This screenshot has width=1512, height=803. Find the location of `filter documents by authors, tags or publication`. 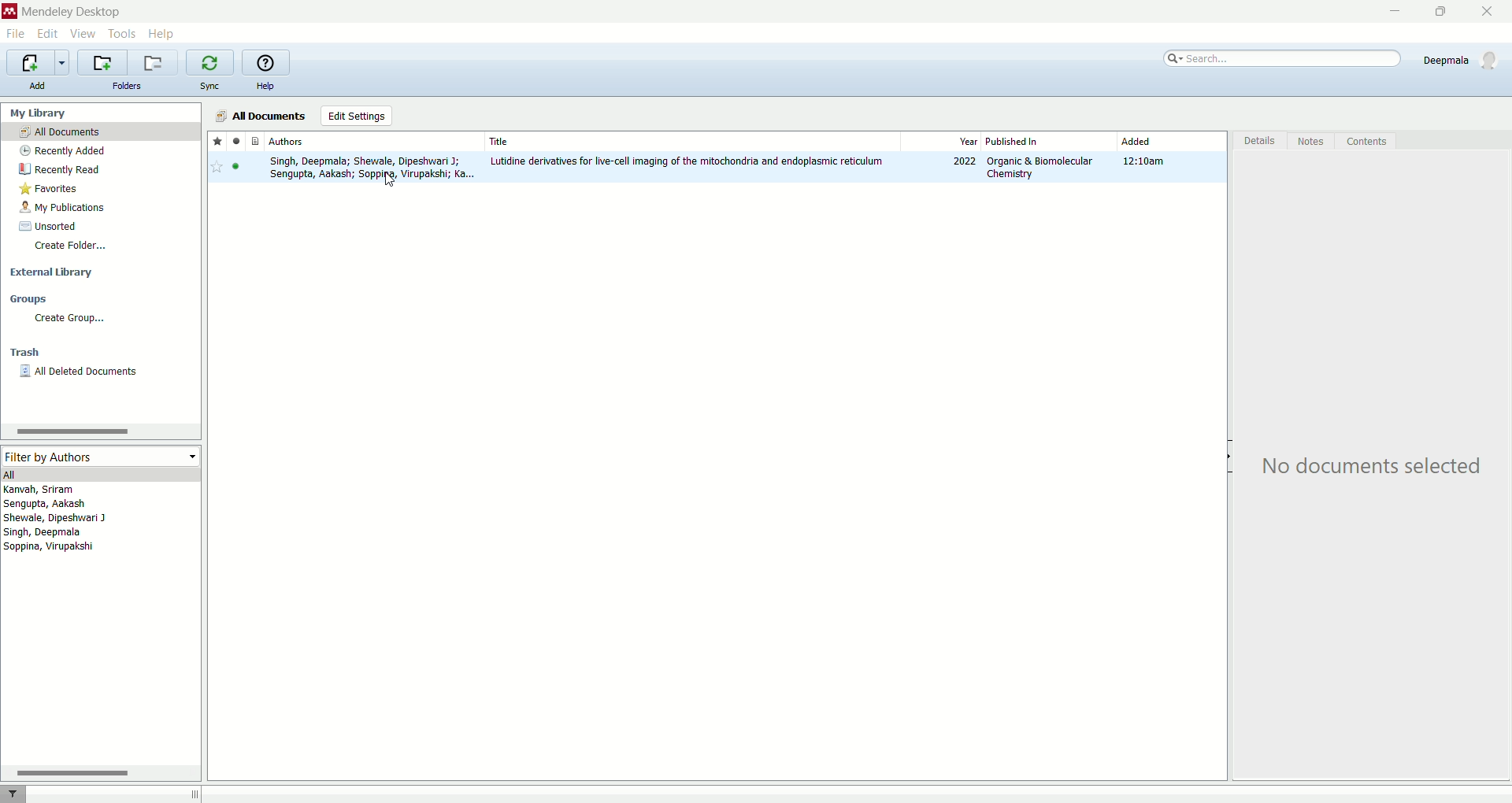

filter documents by authors, tags or publication is located at coordinates (23, 794).